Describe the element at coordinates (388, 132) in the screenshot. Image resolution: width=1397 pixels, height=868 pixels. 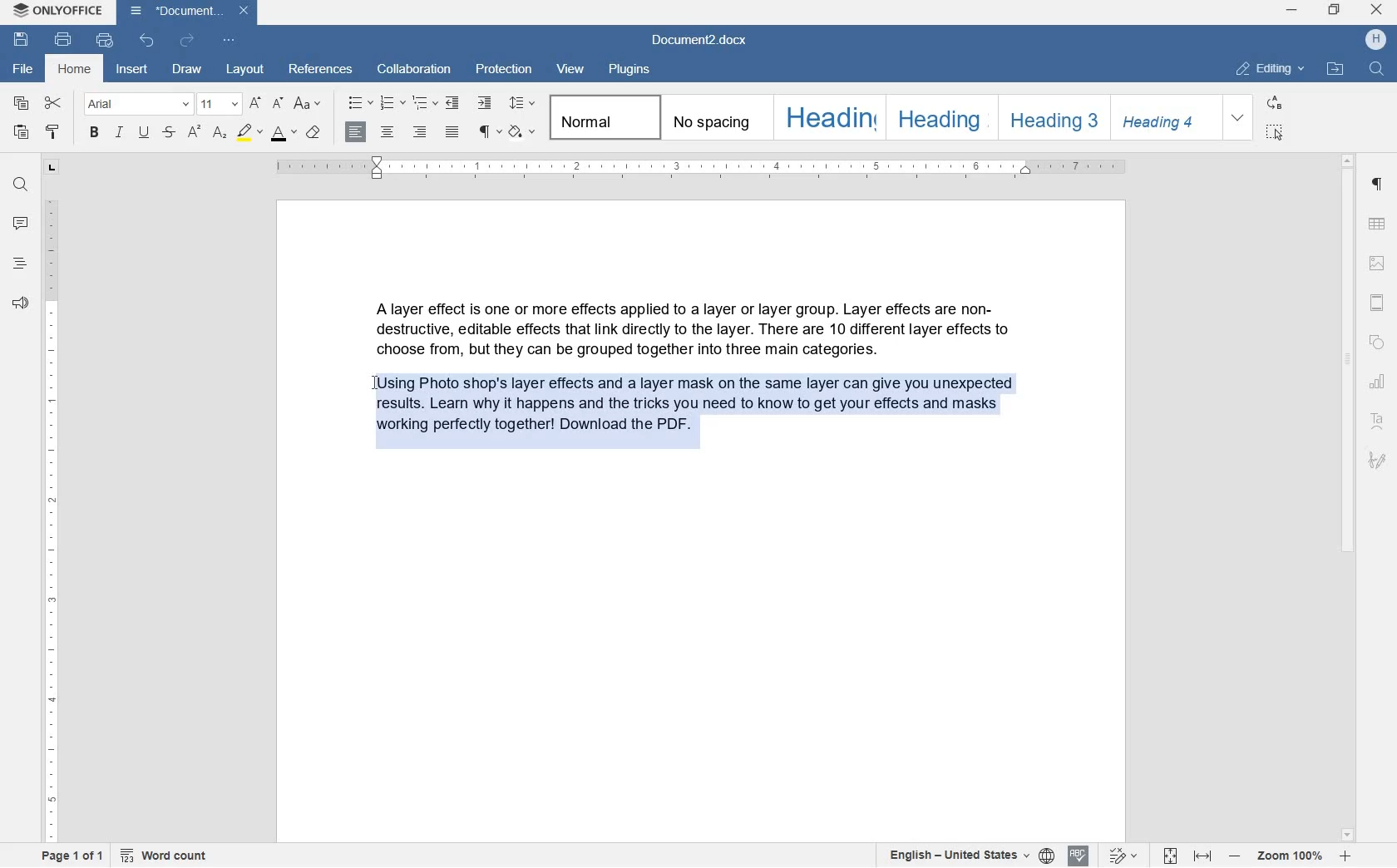
I see `CENTER ALIGNMENT` at that location.